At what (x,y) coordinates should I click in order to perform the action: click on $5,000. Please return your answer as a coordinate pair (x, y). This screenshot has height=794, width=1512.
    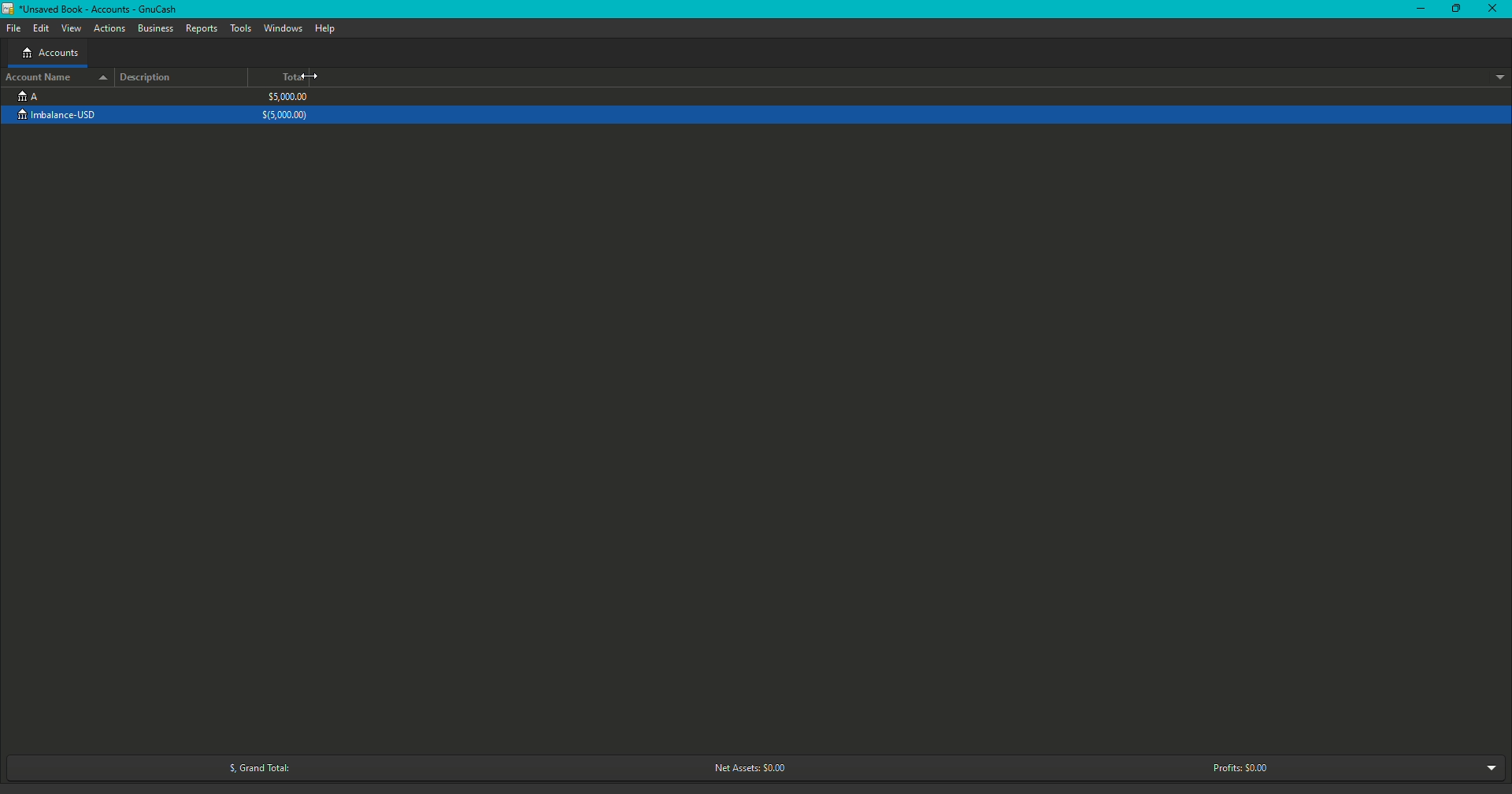
    Looking at the image, I should click on (287, 106).